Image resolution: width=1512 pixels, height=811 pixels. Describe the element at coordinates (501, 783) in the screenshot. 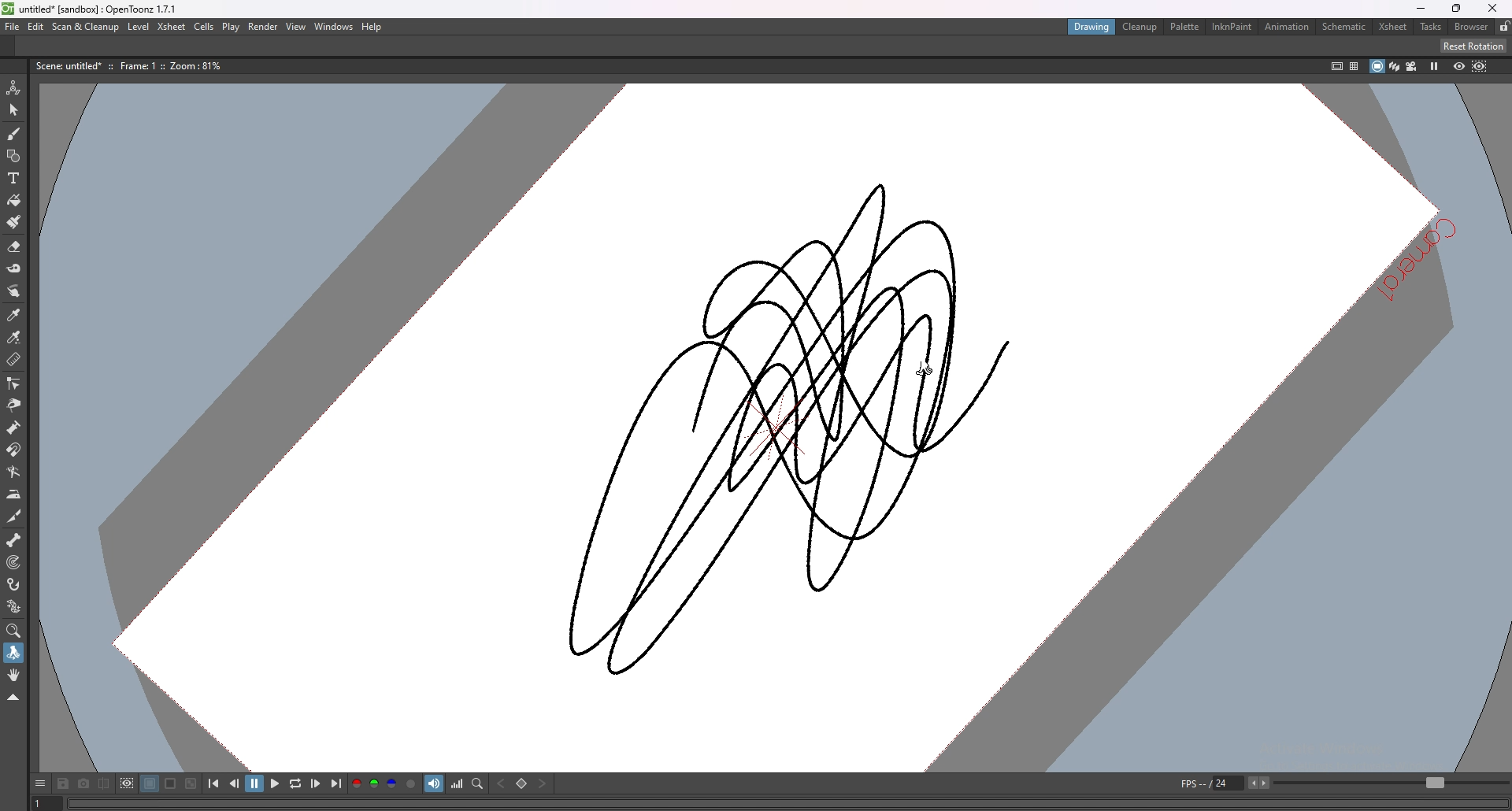

I see `previous key` at that location.